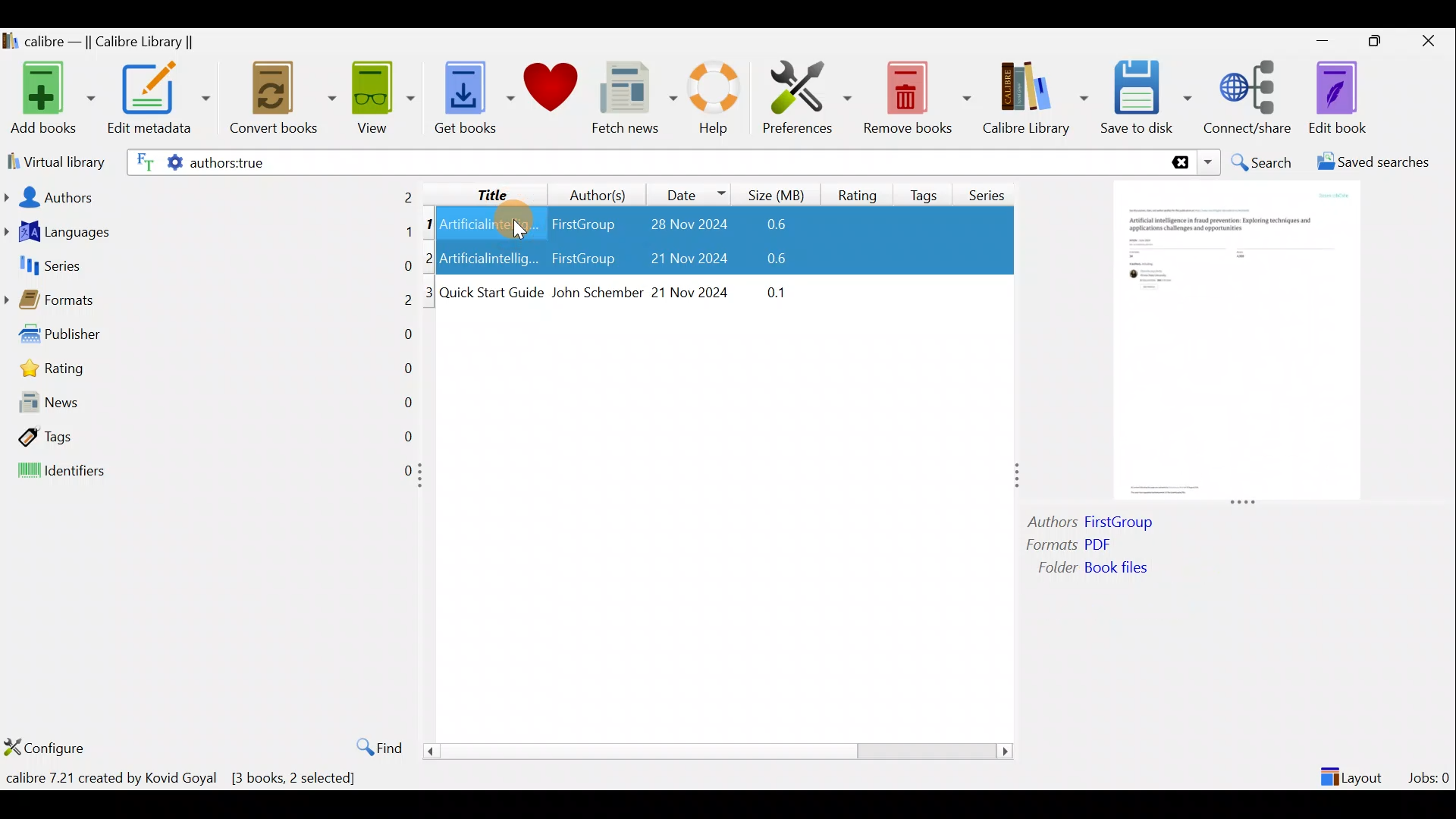 This screenshot has width=1456, height=819. What do you see at coordinates (858, 193) in the screenshot?
I see `Rating` at bounding box center [858, 193].